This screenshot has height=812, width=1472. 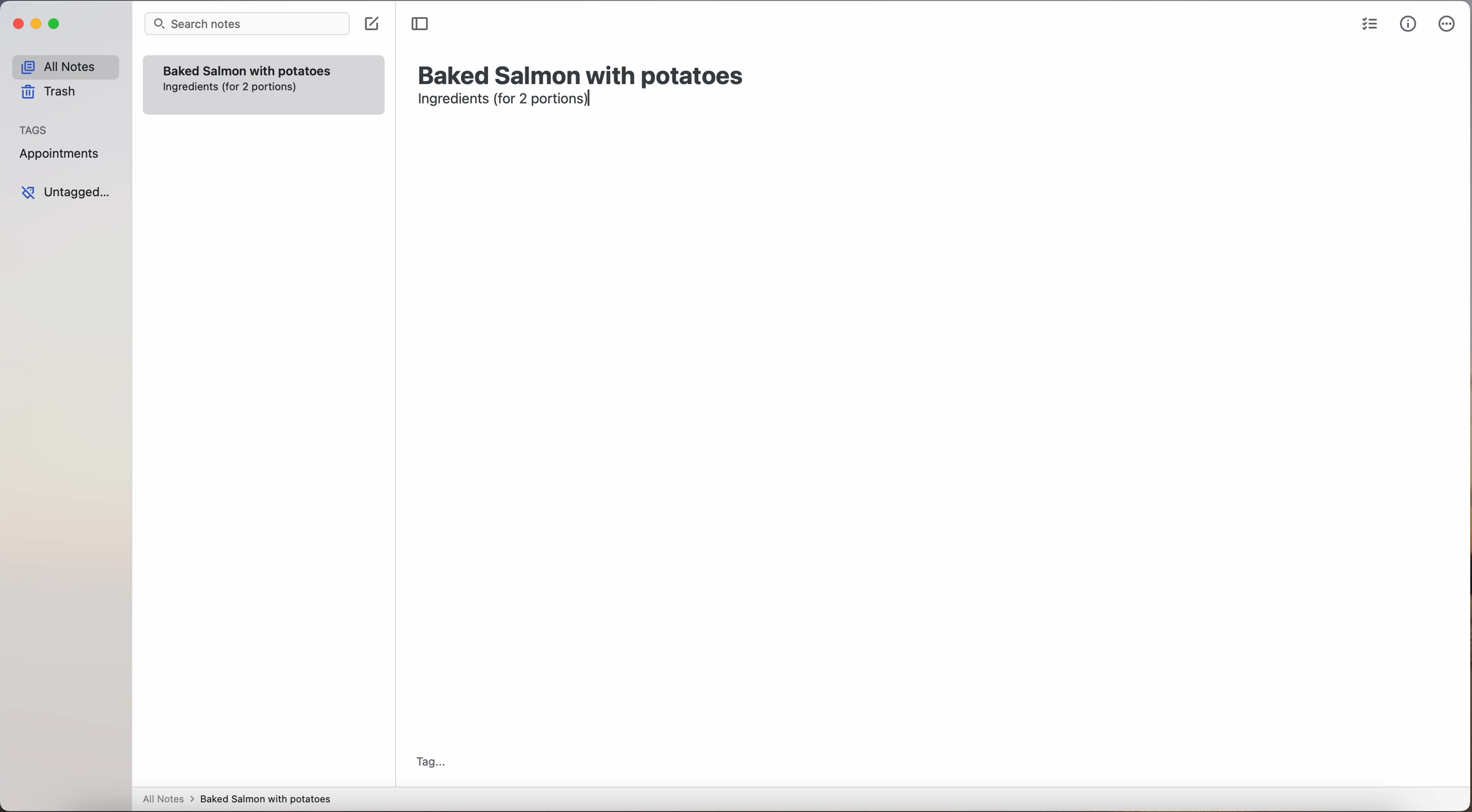 I want to click on ingredients (for 2 portions), so click(x=507, y=101).